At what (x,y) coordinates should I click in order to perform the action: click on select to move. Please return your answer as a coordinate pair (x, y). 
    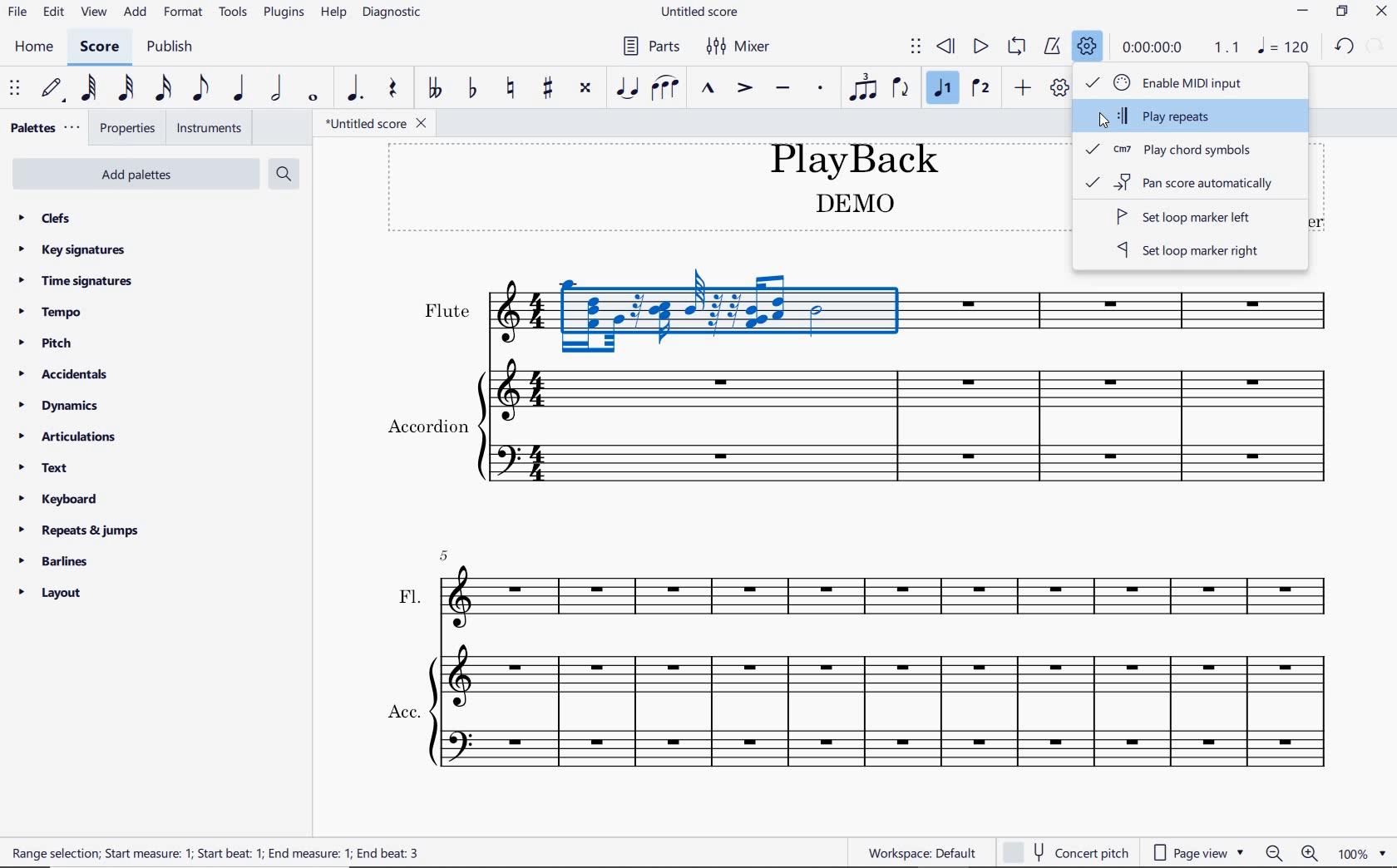
    Looking at the image, I should click on (914, 47).